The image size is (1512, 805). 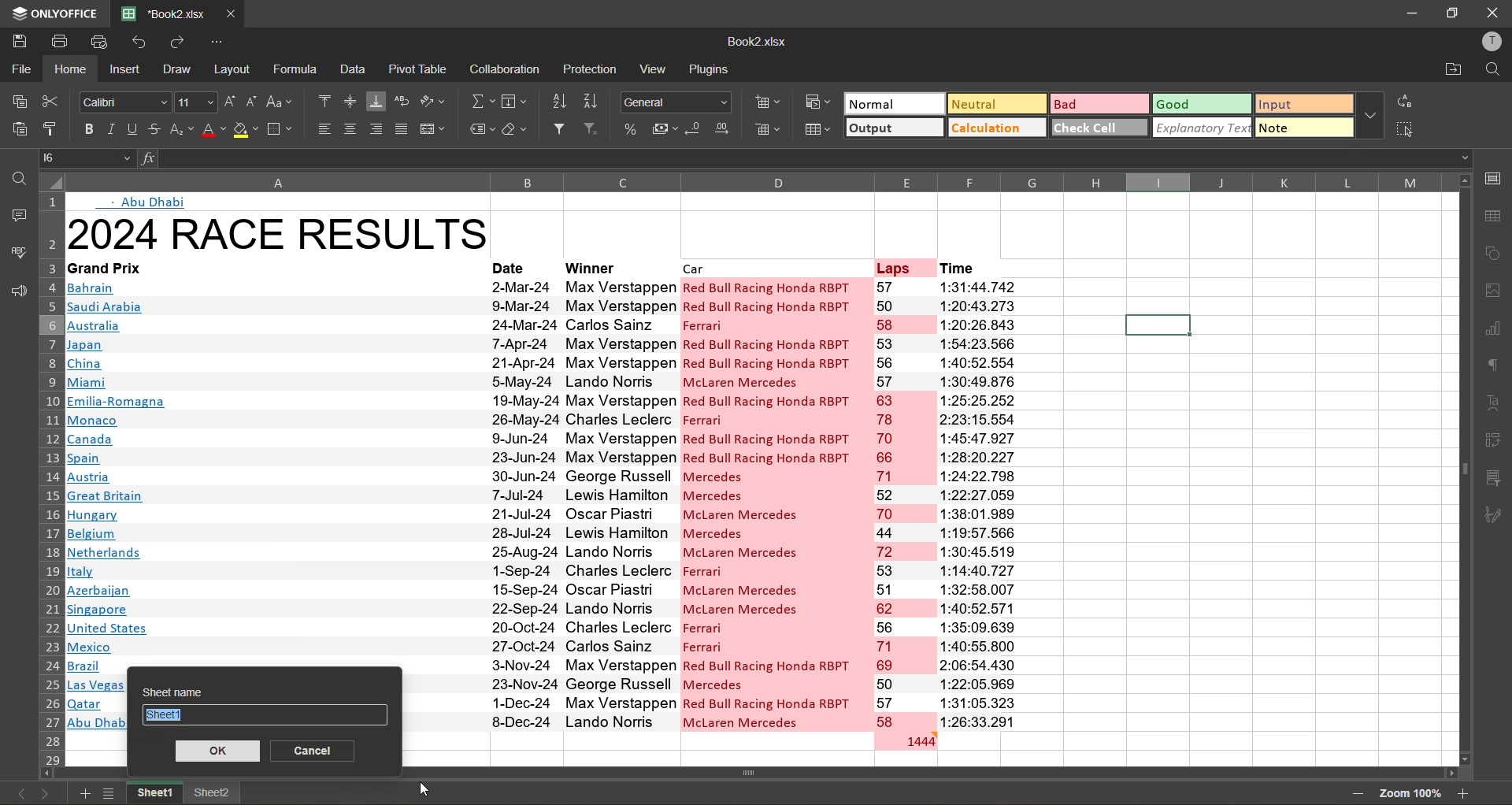 I want to click on scroll bar, so click(x=1460, y=412).